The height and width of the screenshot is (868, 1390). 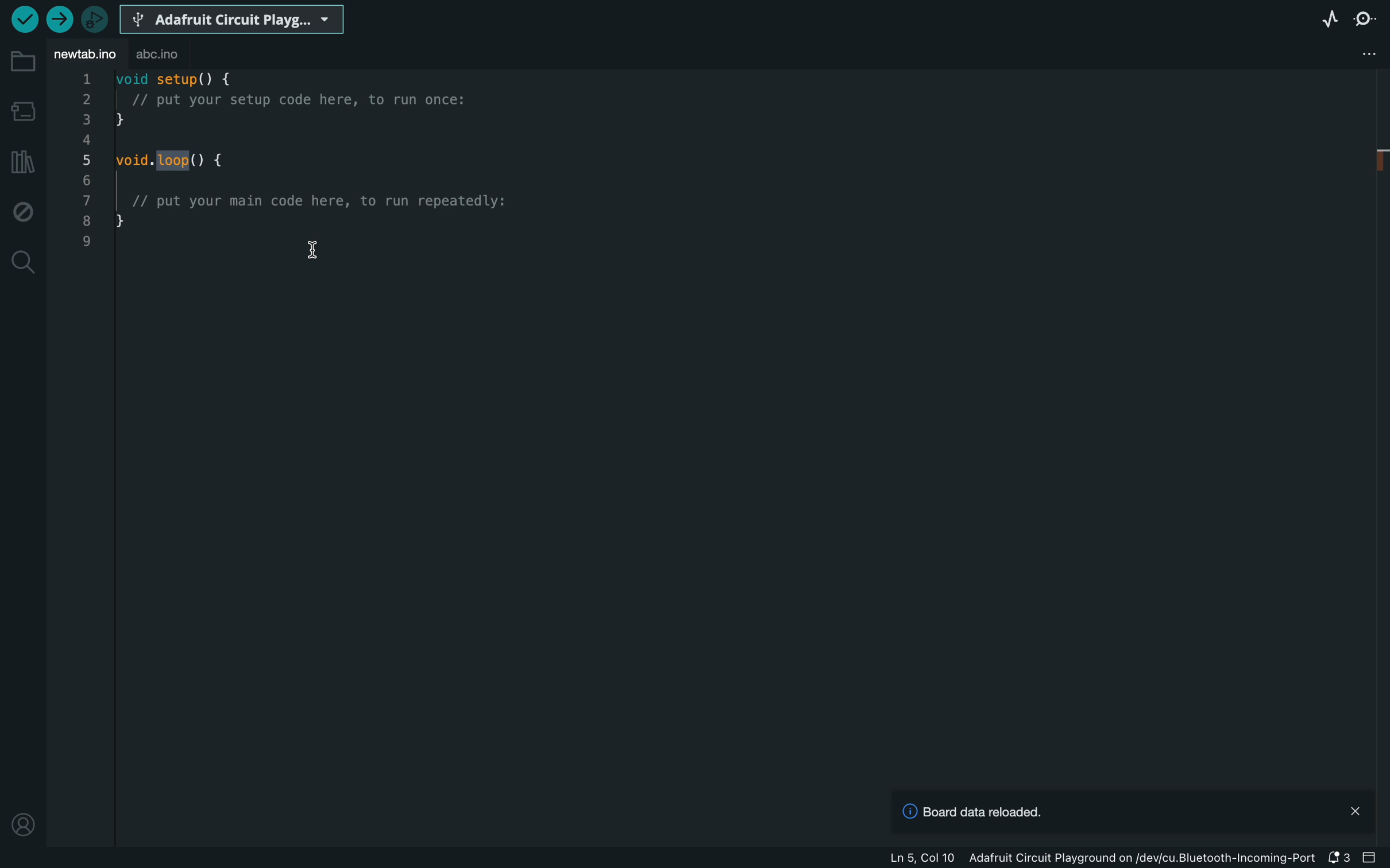 I want to click on 9, so click(x=86, y=242).